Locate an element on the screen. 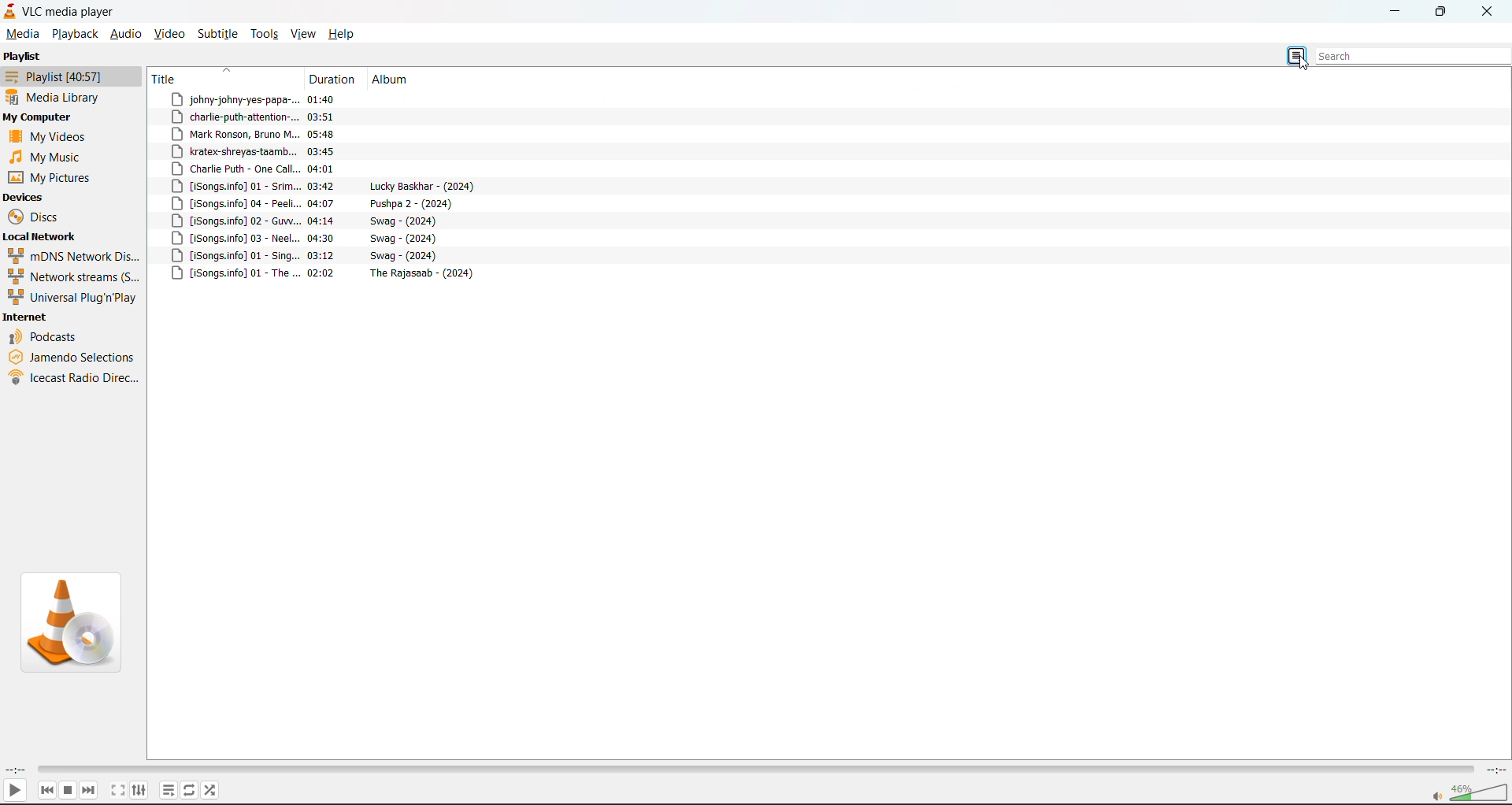  title is located at coordinates (224, 77).